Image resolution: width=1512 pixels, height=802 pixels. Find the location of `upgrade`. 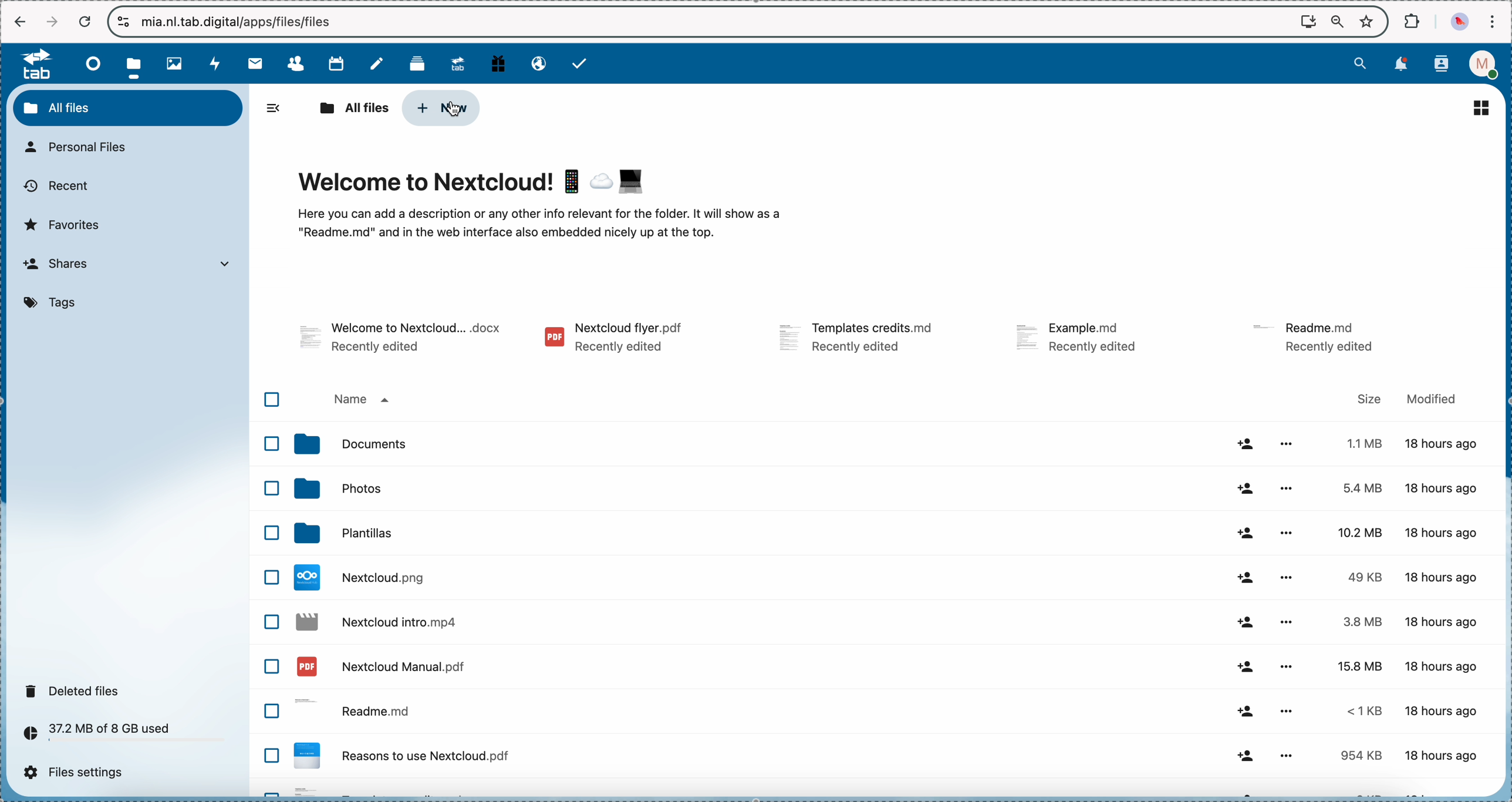

upgrade is located at coordinates (458, 63).